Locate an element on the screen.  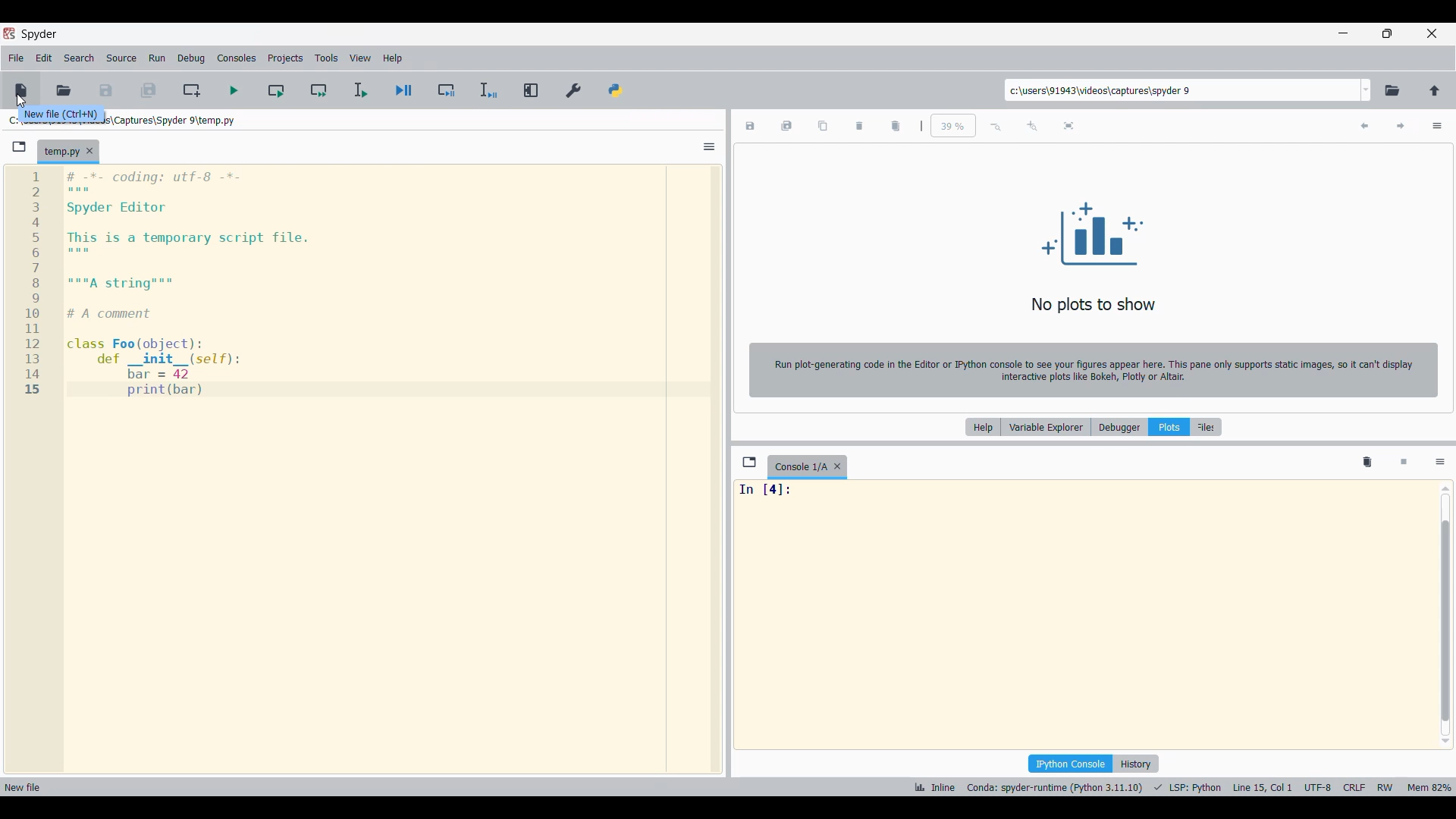
Save plot as is located at coordinates (750, 126).